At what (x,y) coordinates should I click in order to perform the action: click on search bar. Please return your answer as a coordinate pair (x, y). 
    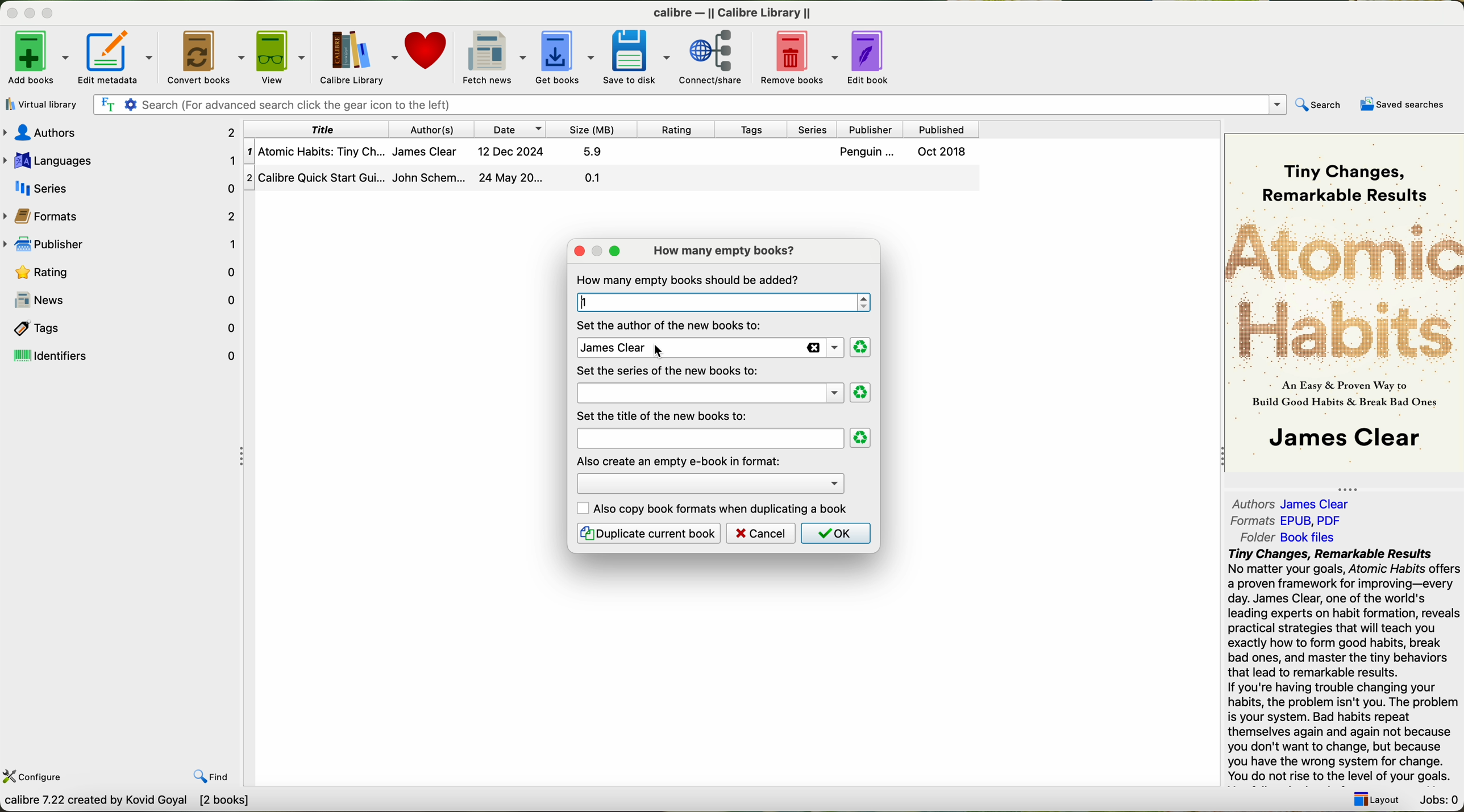
    Looking at the image, I should click on (693, 105).